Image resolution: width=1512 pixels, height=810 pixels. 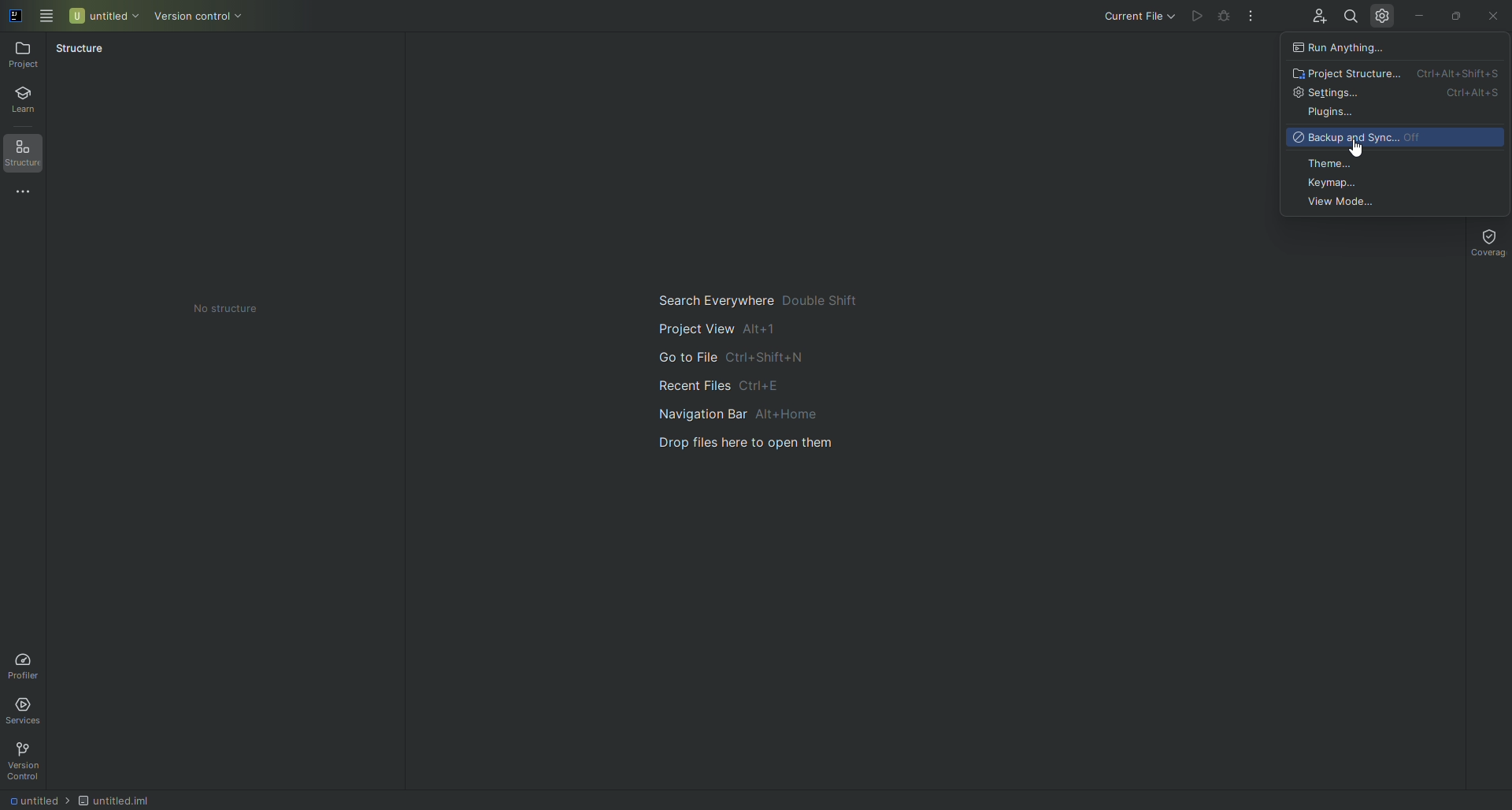 I want to click on Minimize, so click(x=1418, y=14).